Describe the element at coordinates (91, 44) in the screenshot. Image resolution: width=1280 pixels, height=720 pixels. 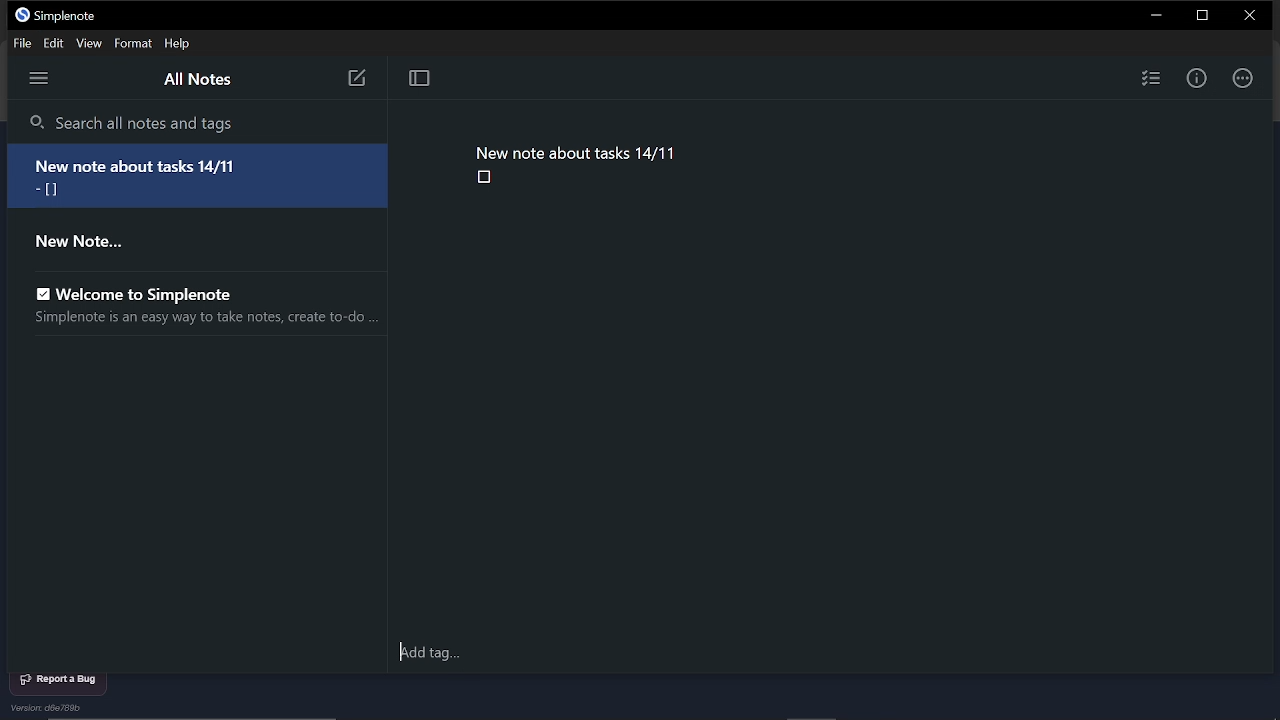
I see `View` at that location.